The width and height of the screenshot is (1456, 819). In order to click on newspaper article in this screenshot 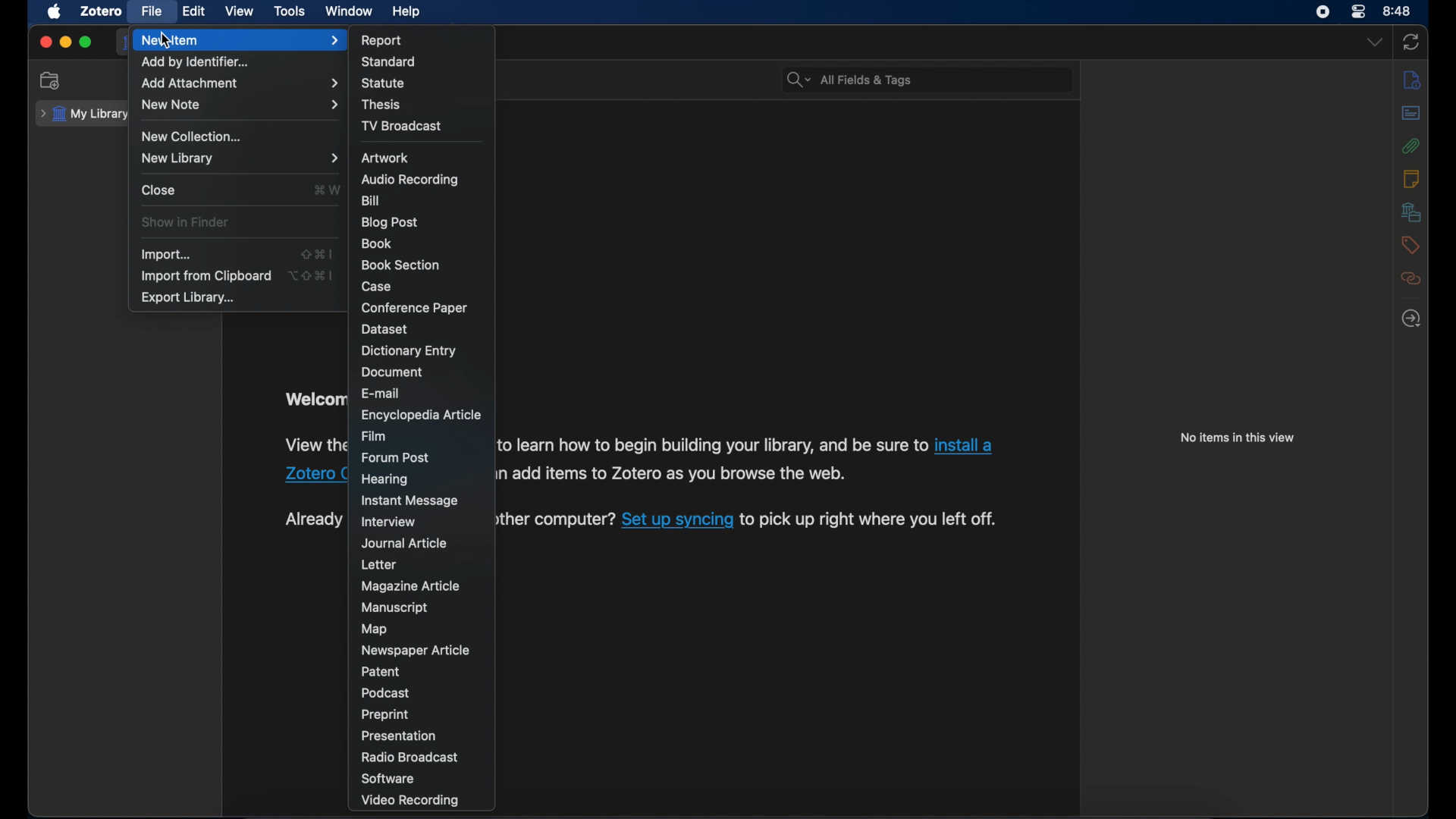, I will do `click(415, 650)`.